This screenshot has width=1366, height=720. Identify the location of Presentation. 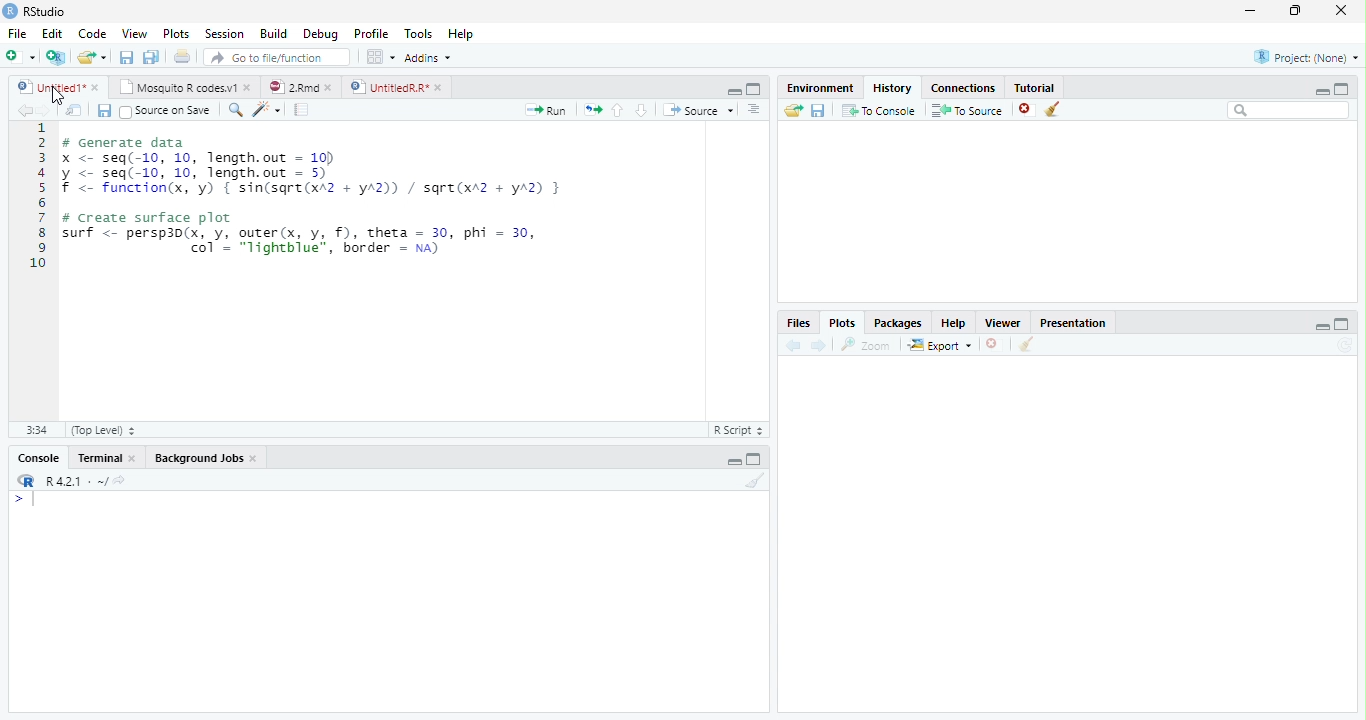
(1073, 322).